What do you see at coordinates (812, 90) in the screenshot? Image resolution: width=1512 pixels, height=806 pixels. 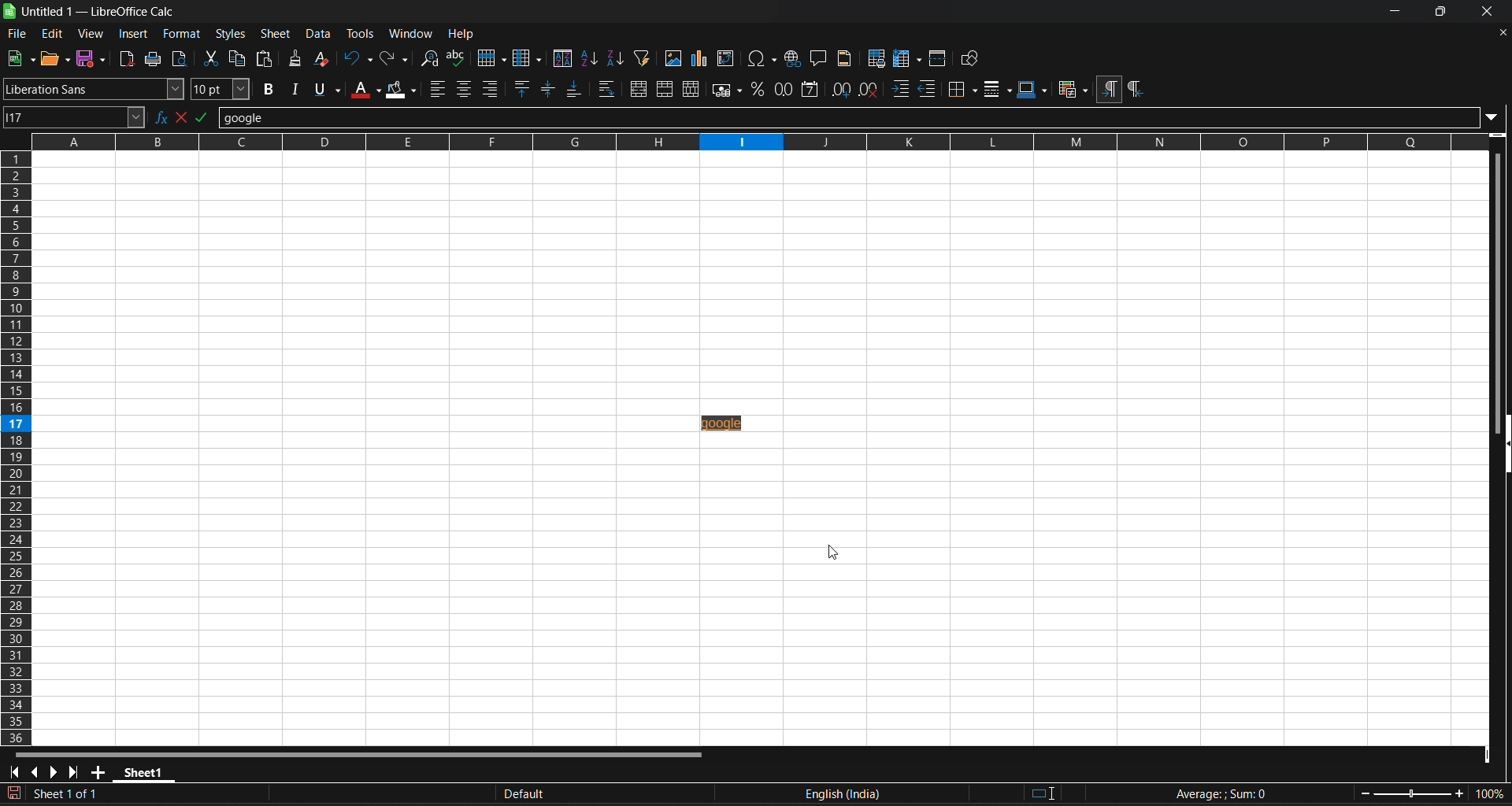 I see `format as date` at bounding box center [812, 90].